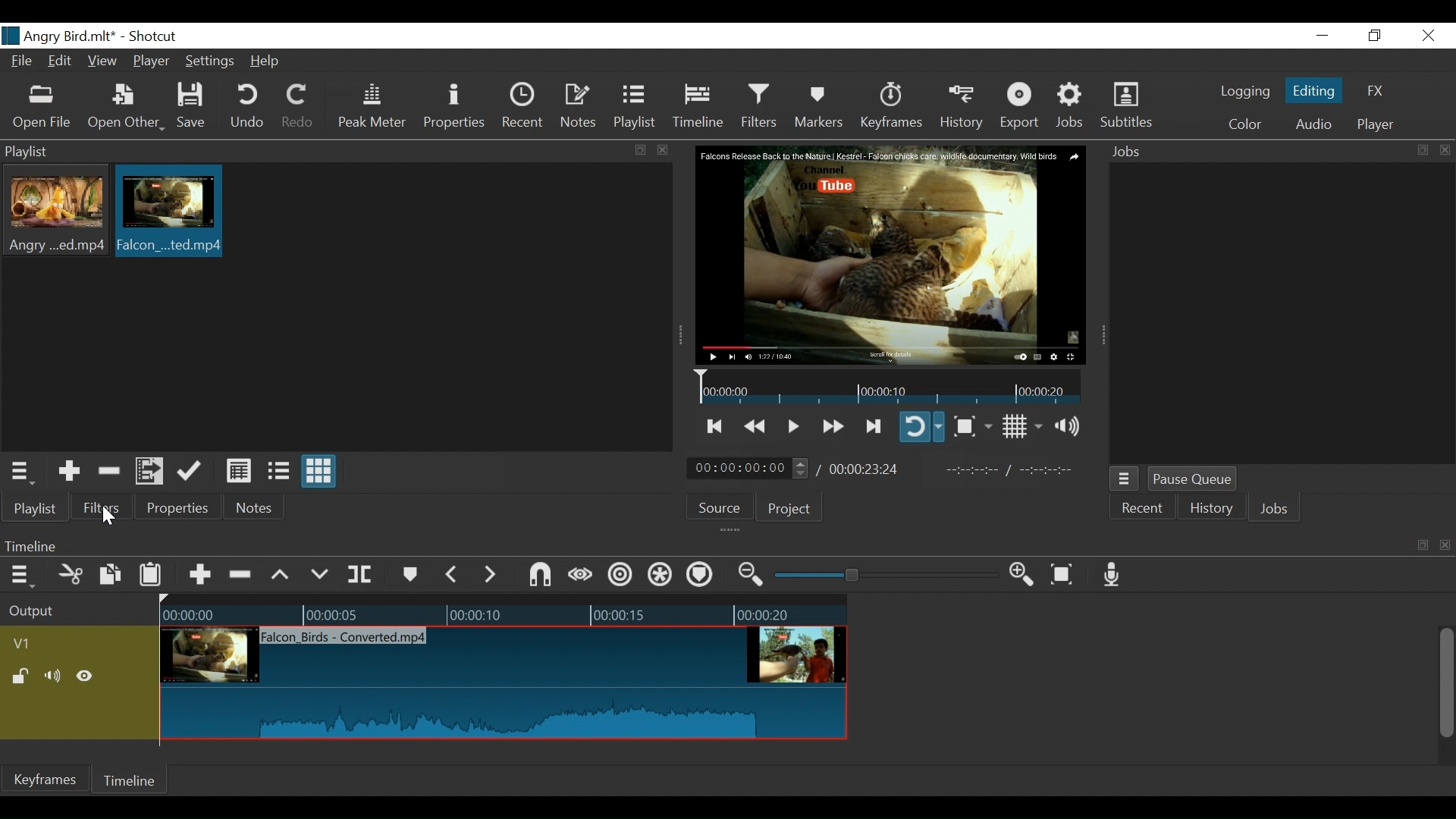  What do you see at coordinates (24, 472) in the screenshot?
I see `Playlist menu` at bounding box center [24, 472].